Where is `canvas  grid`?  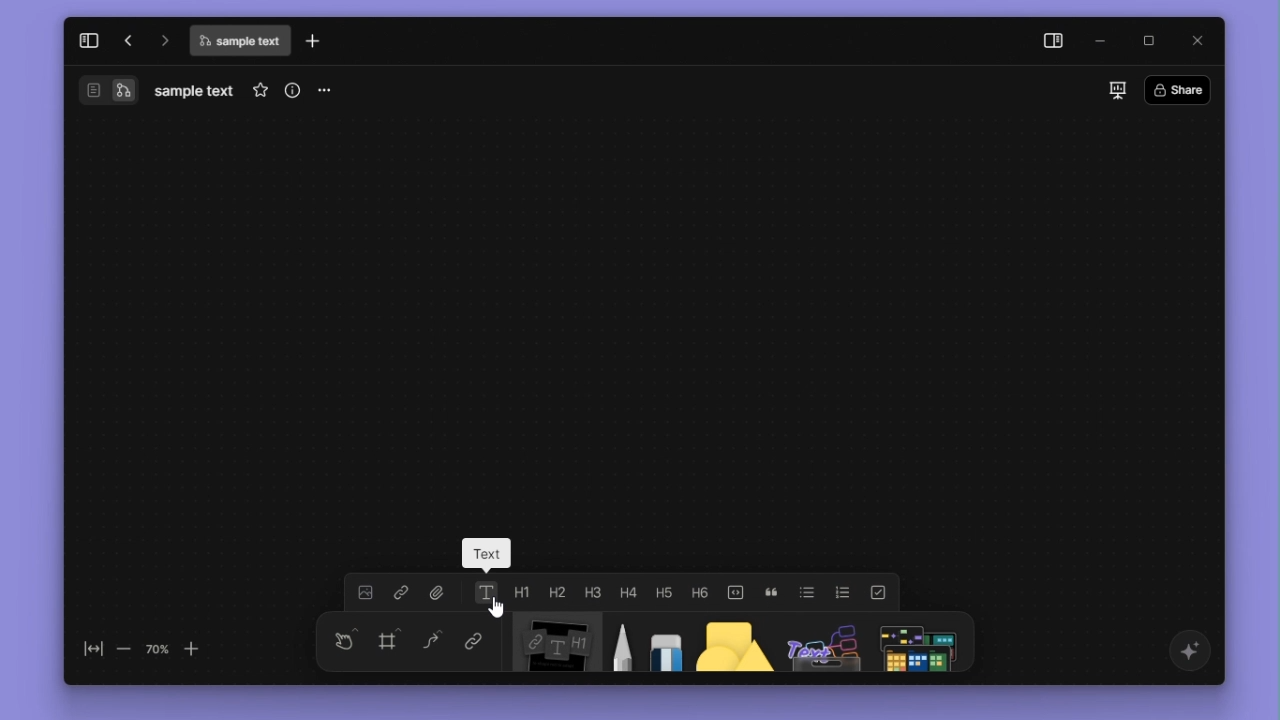 canvas  grid is located at coordinates (647, 321).